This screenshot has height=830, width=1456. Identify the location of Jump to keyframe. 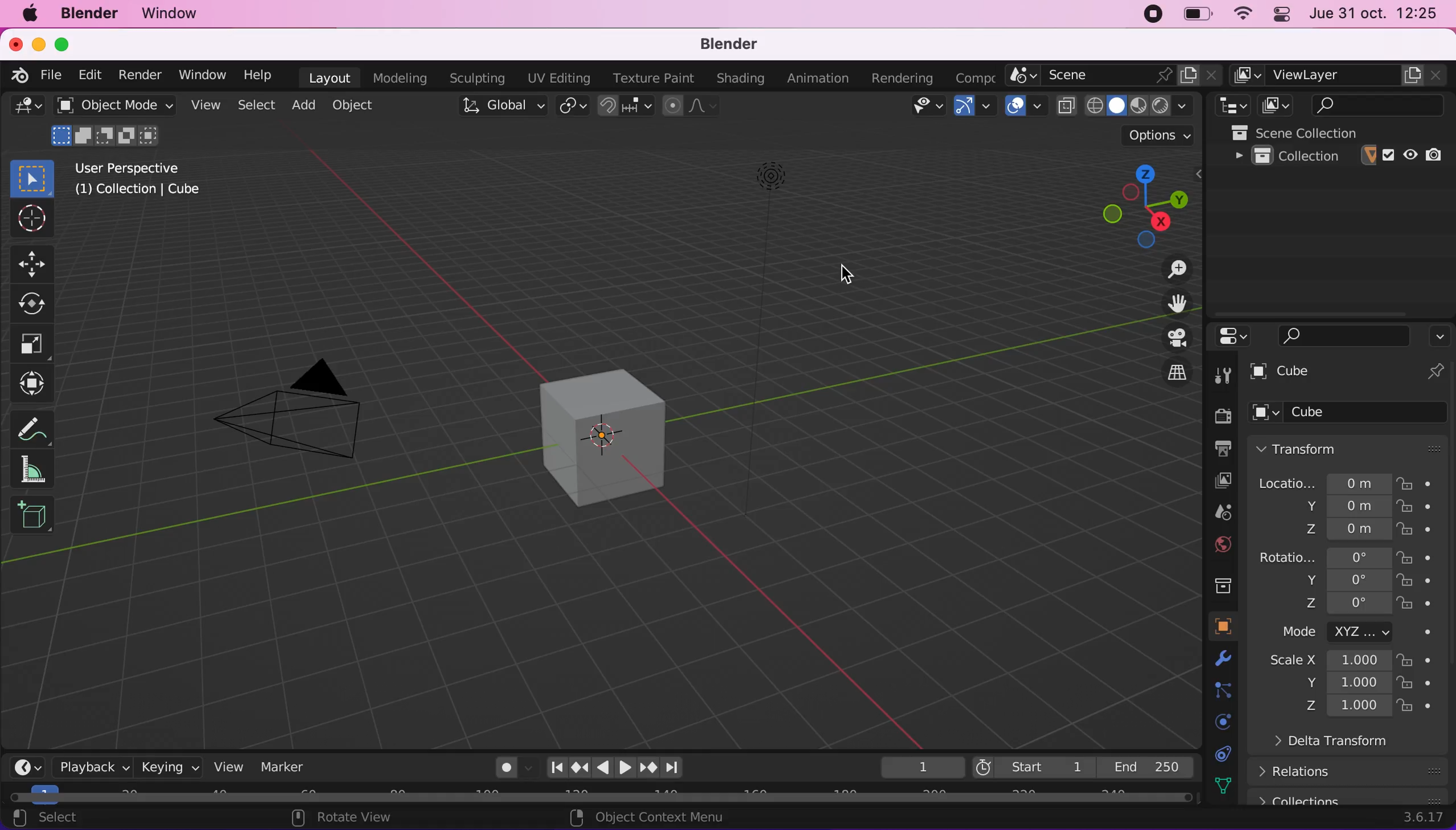
(578, 770).